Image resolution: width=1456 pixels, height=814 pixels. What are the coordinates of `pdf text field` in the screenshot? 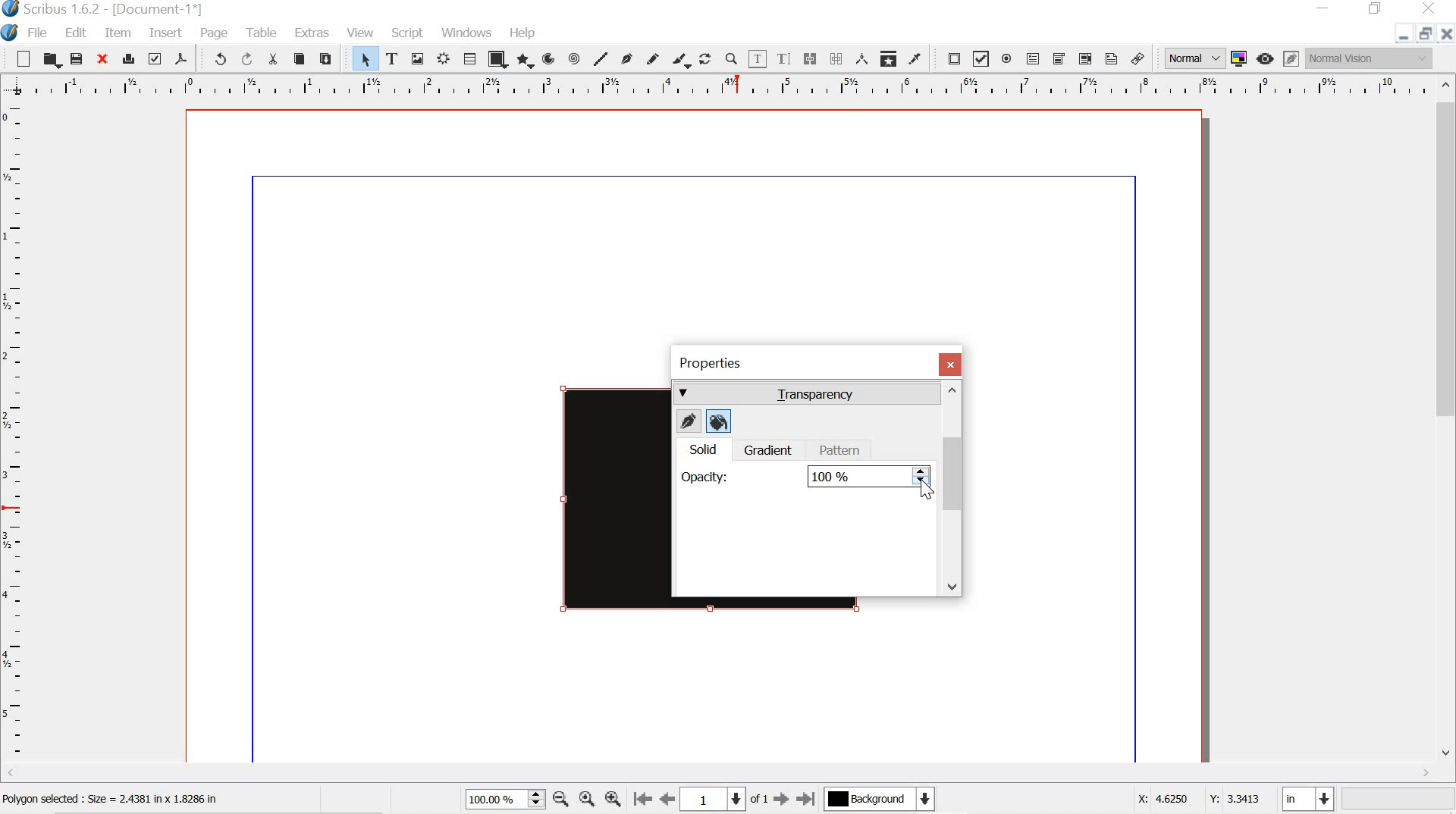 It's located at (1034, 58).